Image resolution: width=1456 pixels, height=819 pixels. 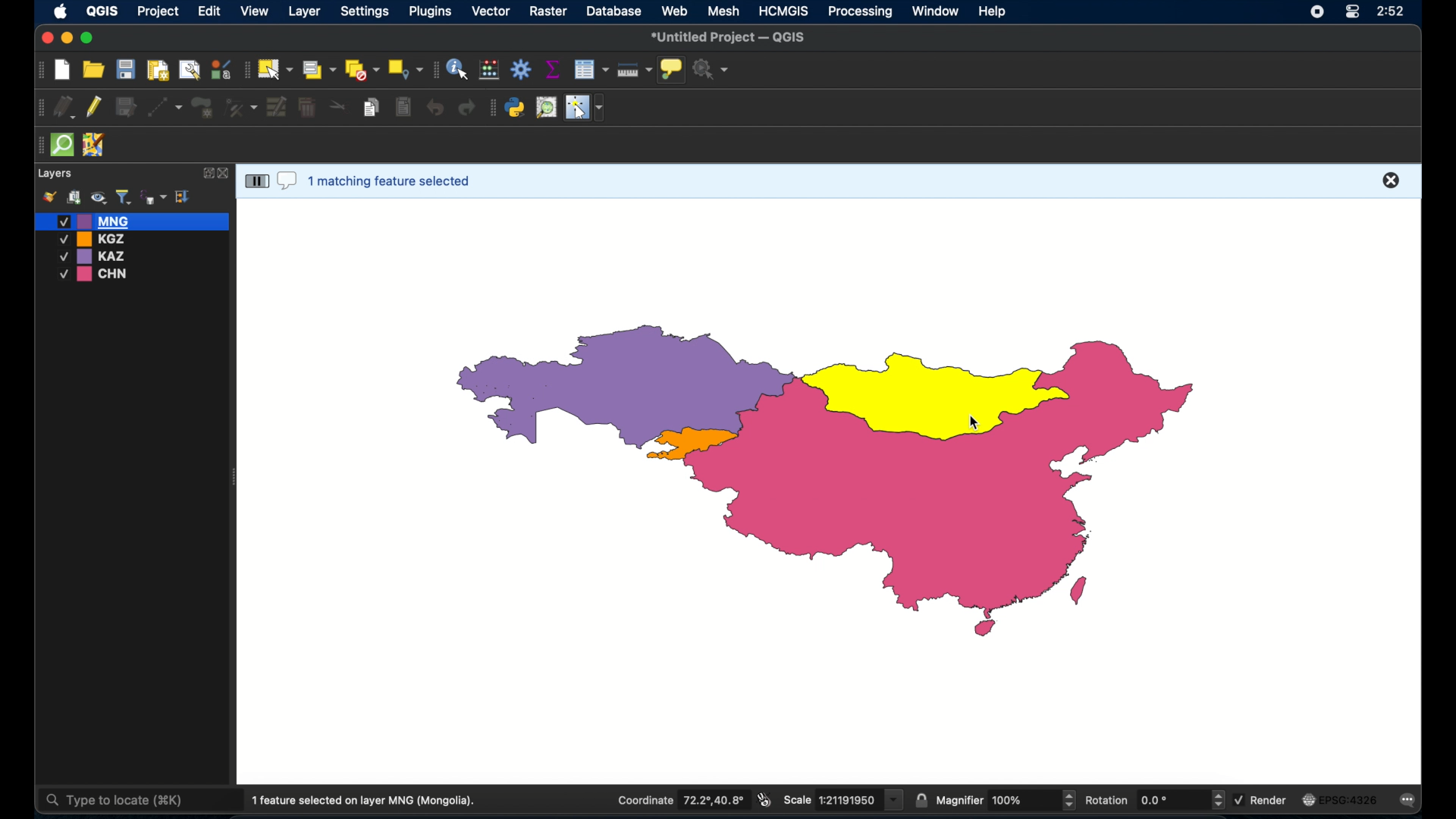 I want to click on 1 matching feature selected, so click(x=393, y=179).